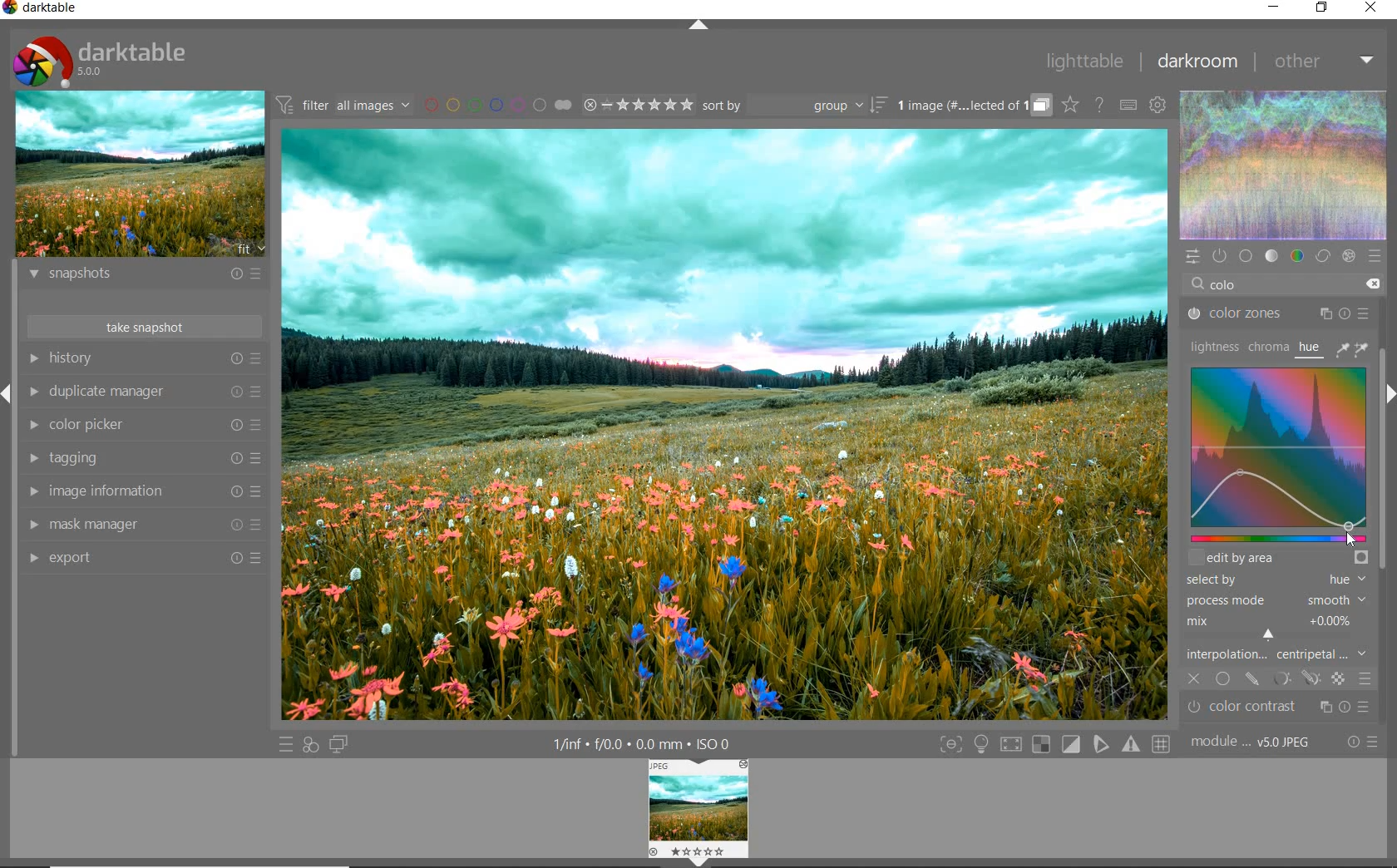  Describe the element at coordinates (793, 107) in the screenshot. I see `sort` at that location.